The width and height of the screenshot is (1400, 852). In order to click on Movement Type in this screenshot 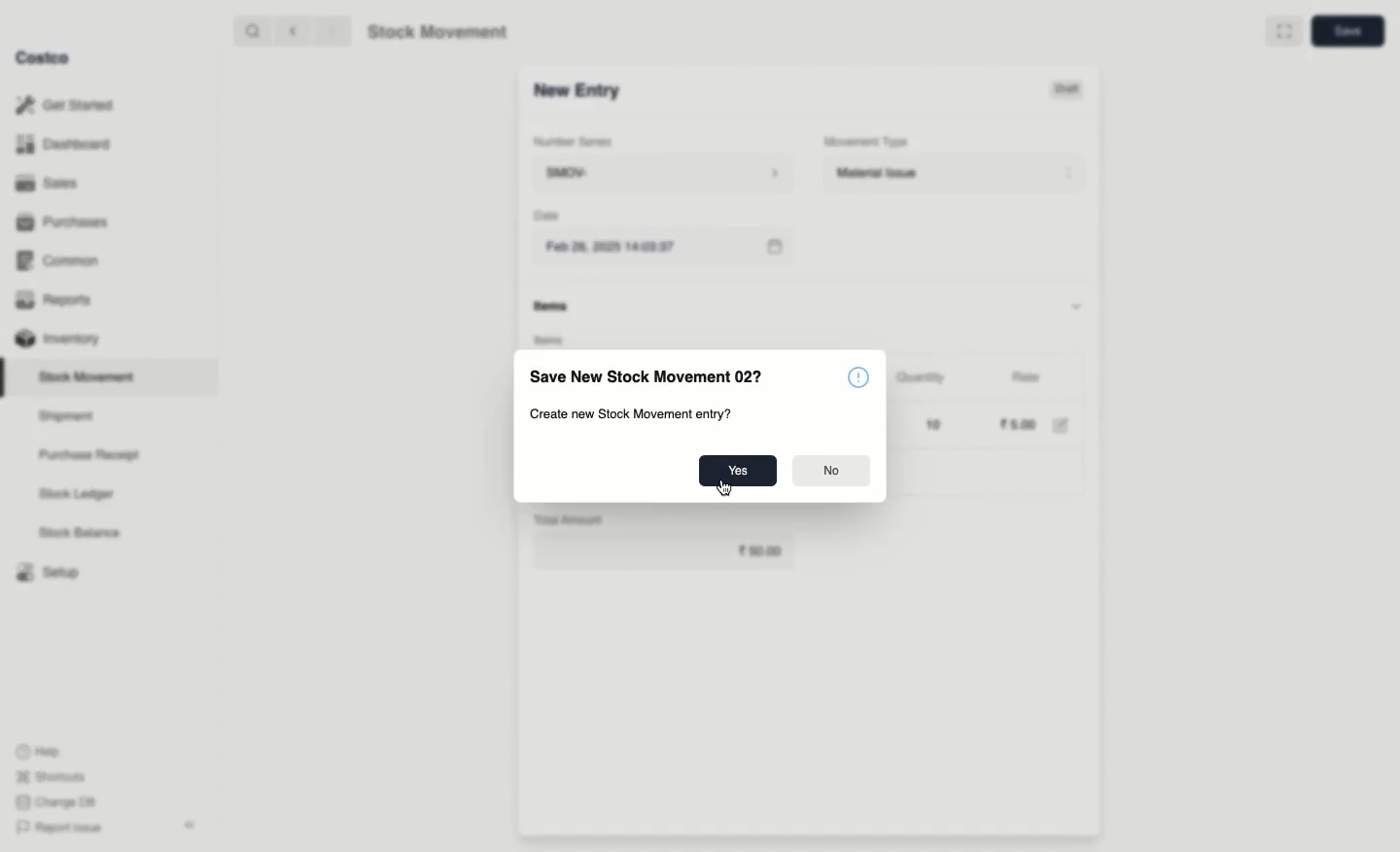, I will do `click(867, 141)`.